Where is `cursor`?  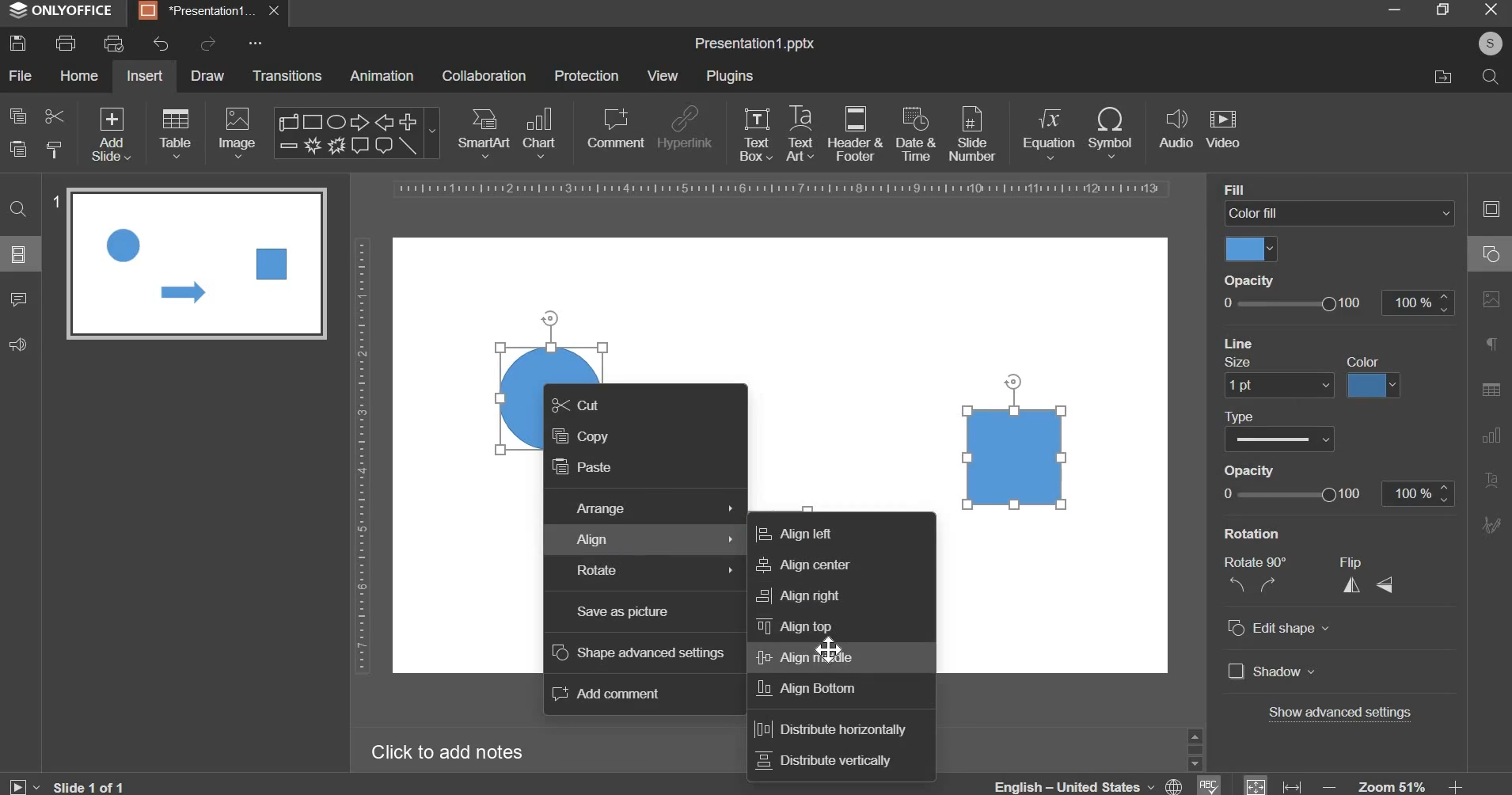 cursor is located at coordinates (553, 321).